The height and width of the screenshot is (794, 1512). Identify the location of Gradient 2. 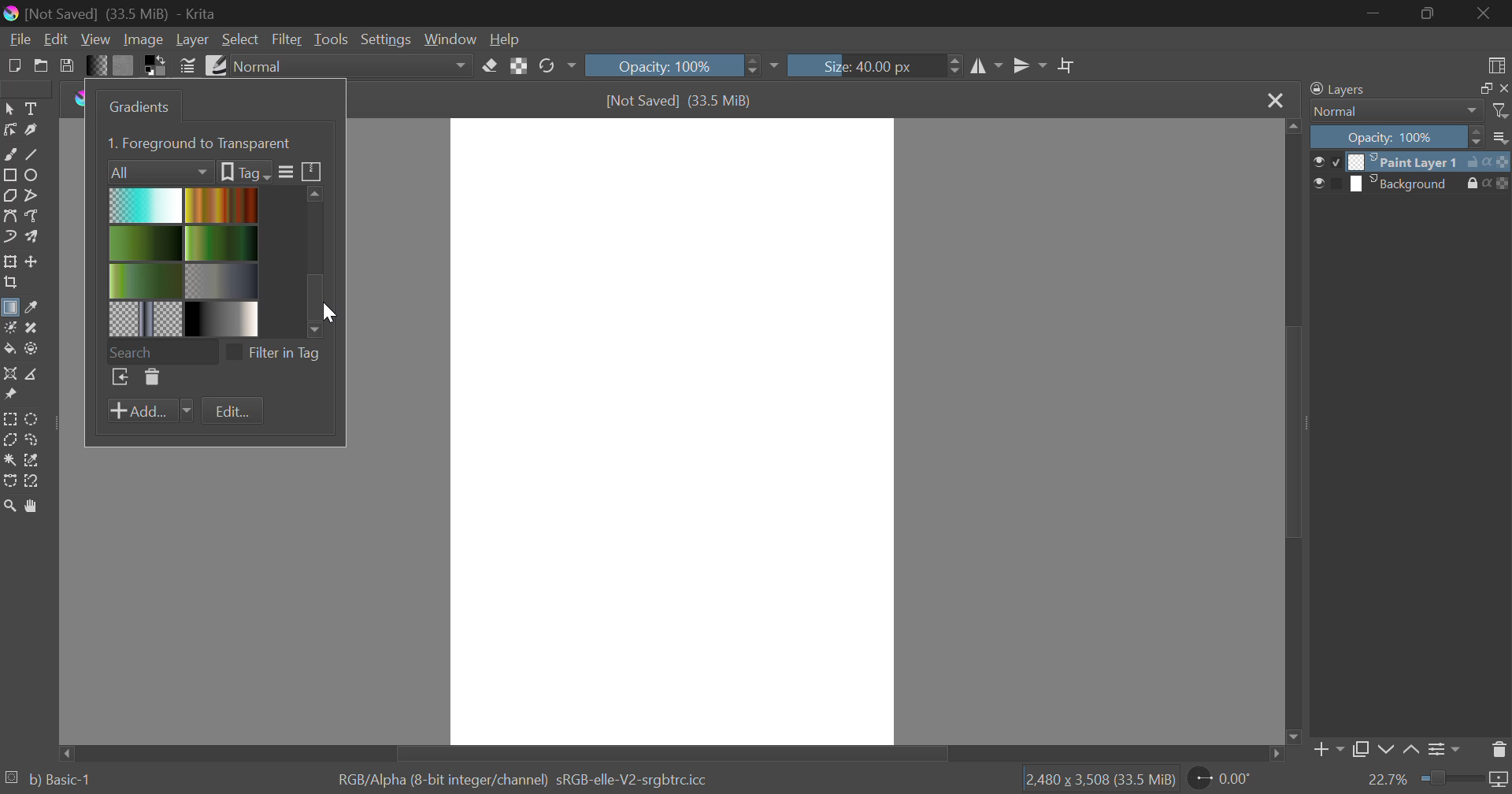
(219, 204).